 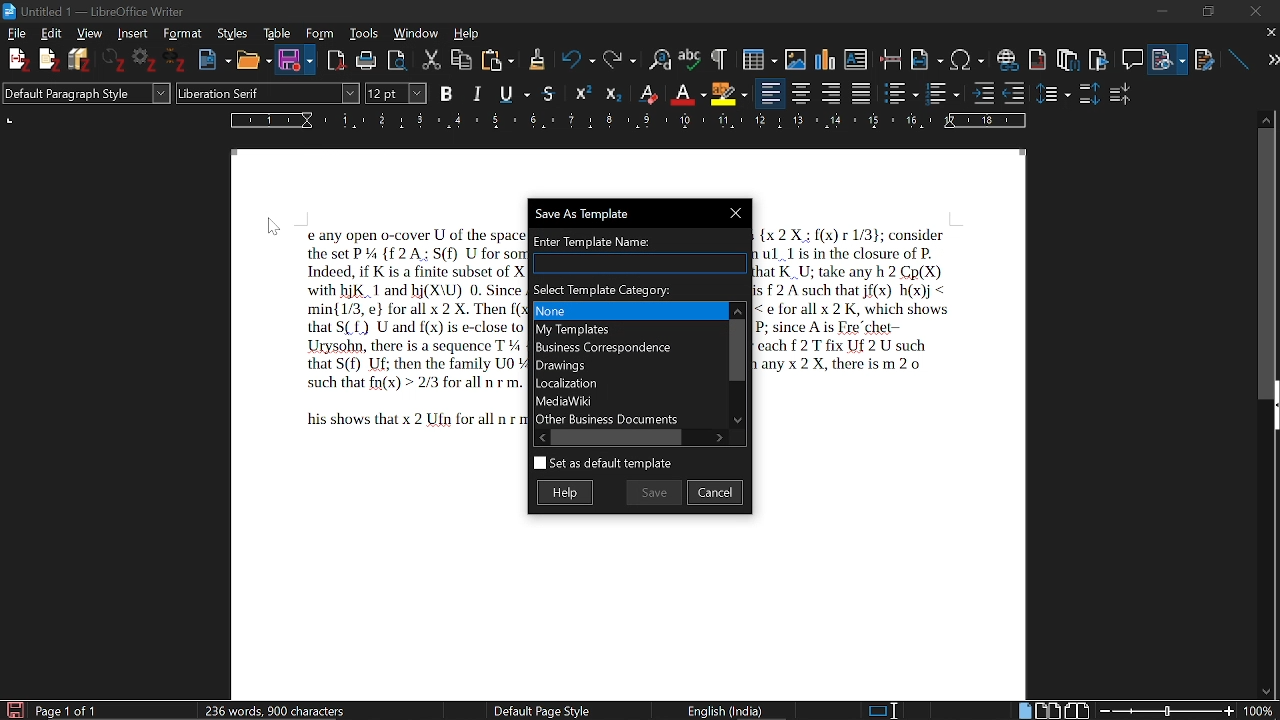 What do you see at coordinates (1067, 56) in the screenshot?
I see `Insert footnote` at bounding box center [1067, 56].